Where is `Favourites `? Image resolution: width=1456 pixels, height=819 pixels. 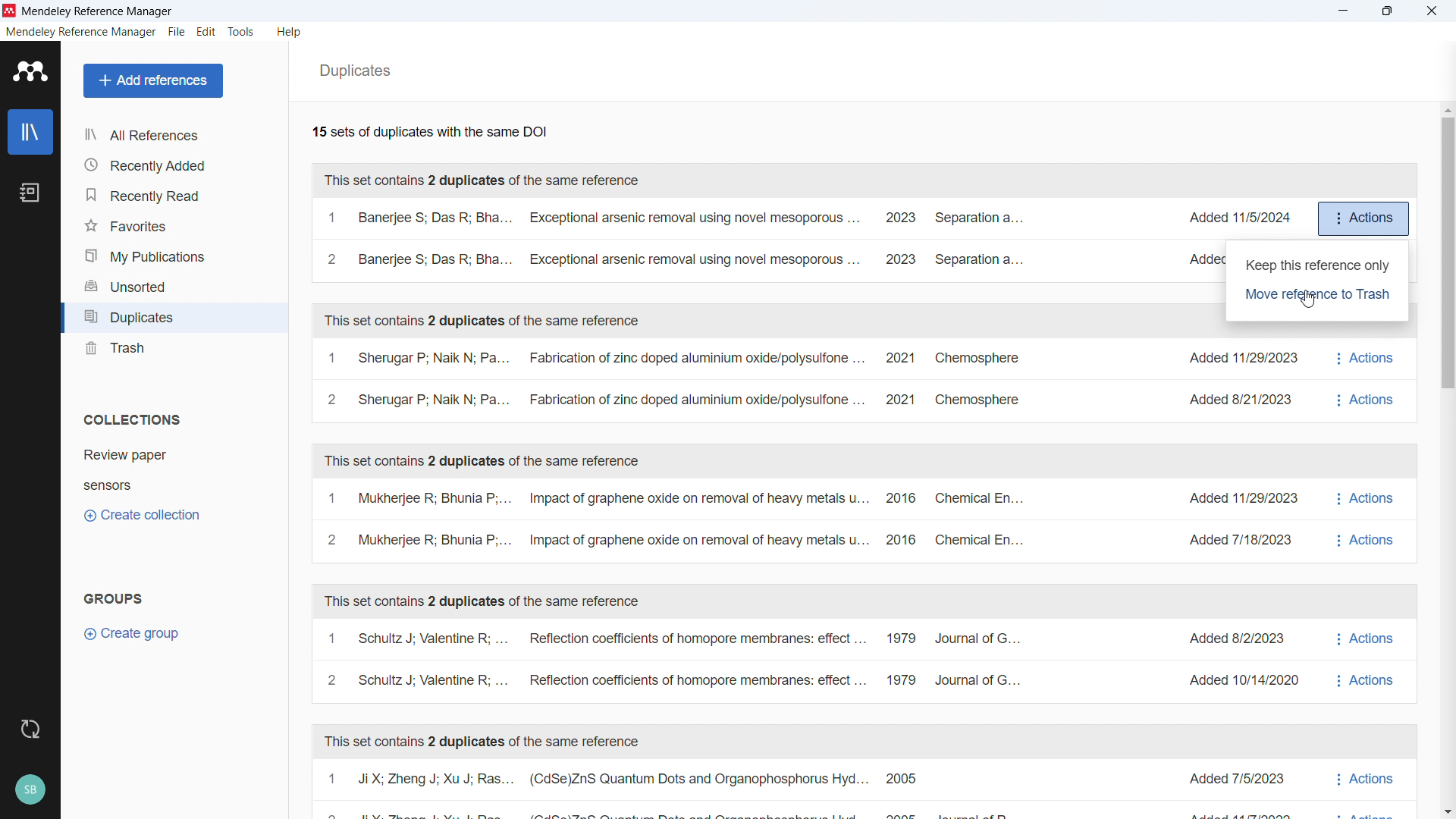
Favourites  is located at coordinates (173, 224).